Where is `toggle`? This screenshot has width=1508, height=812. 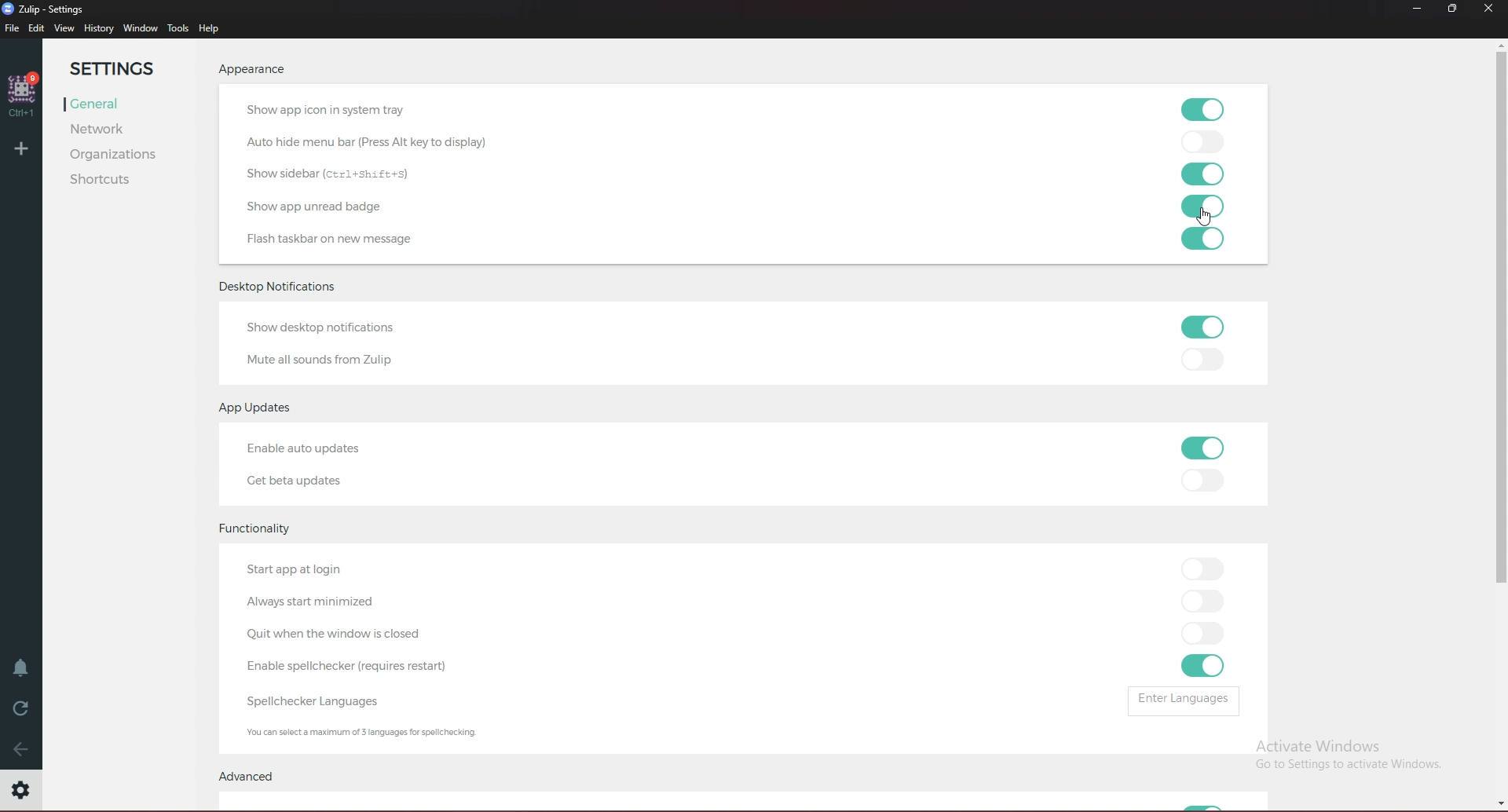 toggle is located at coordinates (1204, 481).